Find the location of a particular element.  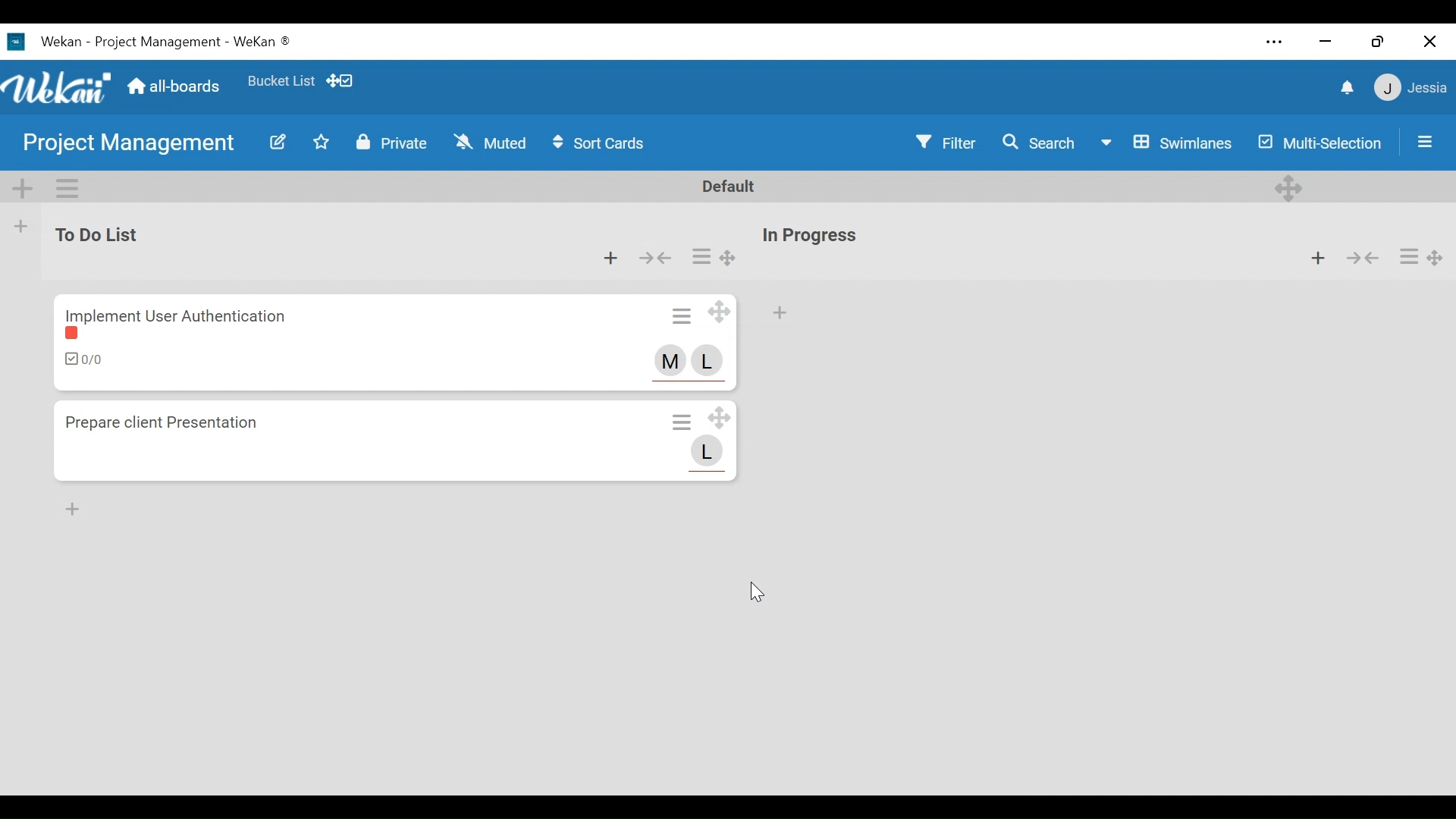

cursor is located at coordinates (773, 595).